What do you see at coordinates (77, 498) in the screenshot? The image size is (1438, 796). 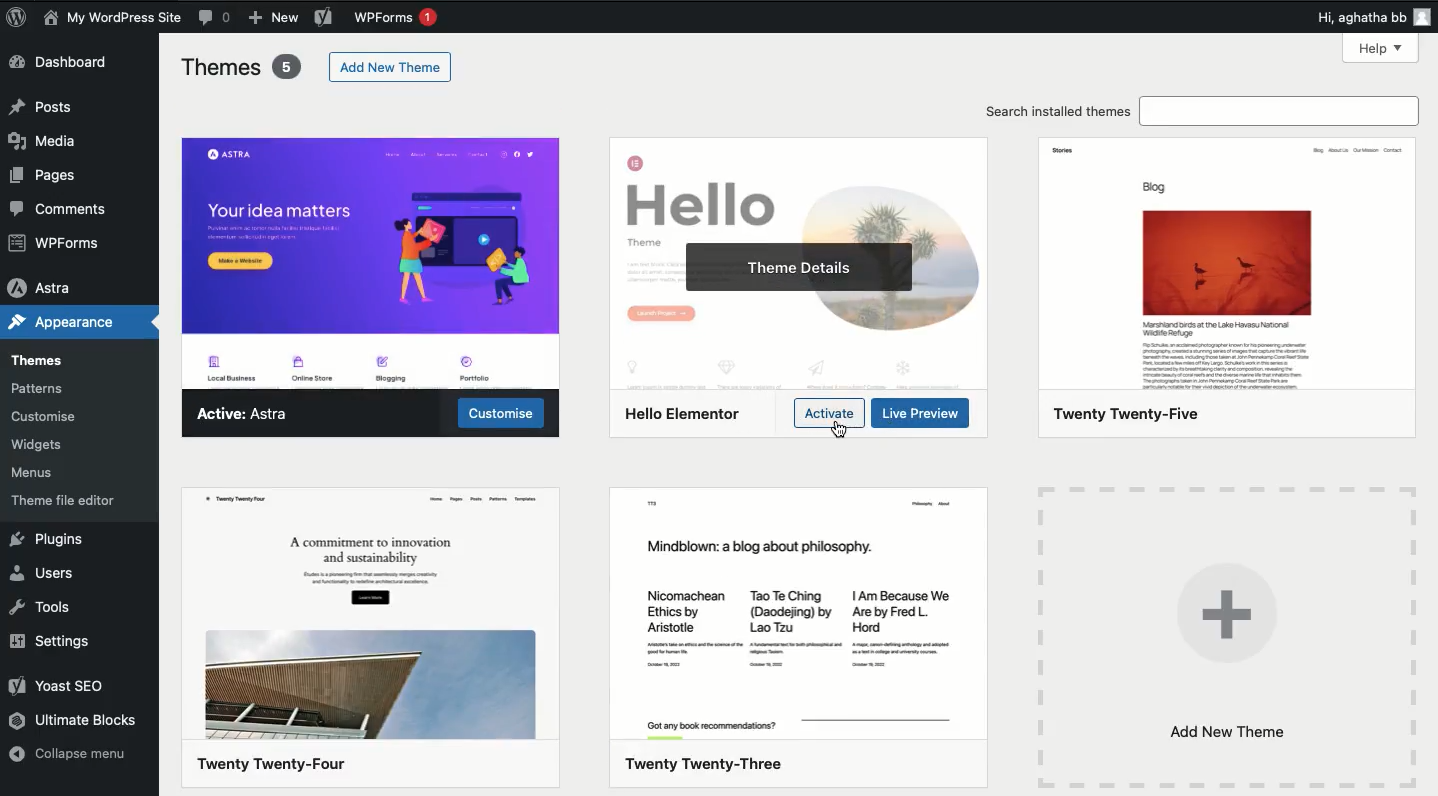 I see `Theme file editor` at bounding box center [77, 498].